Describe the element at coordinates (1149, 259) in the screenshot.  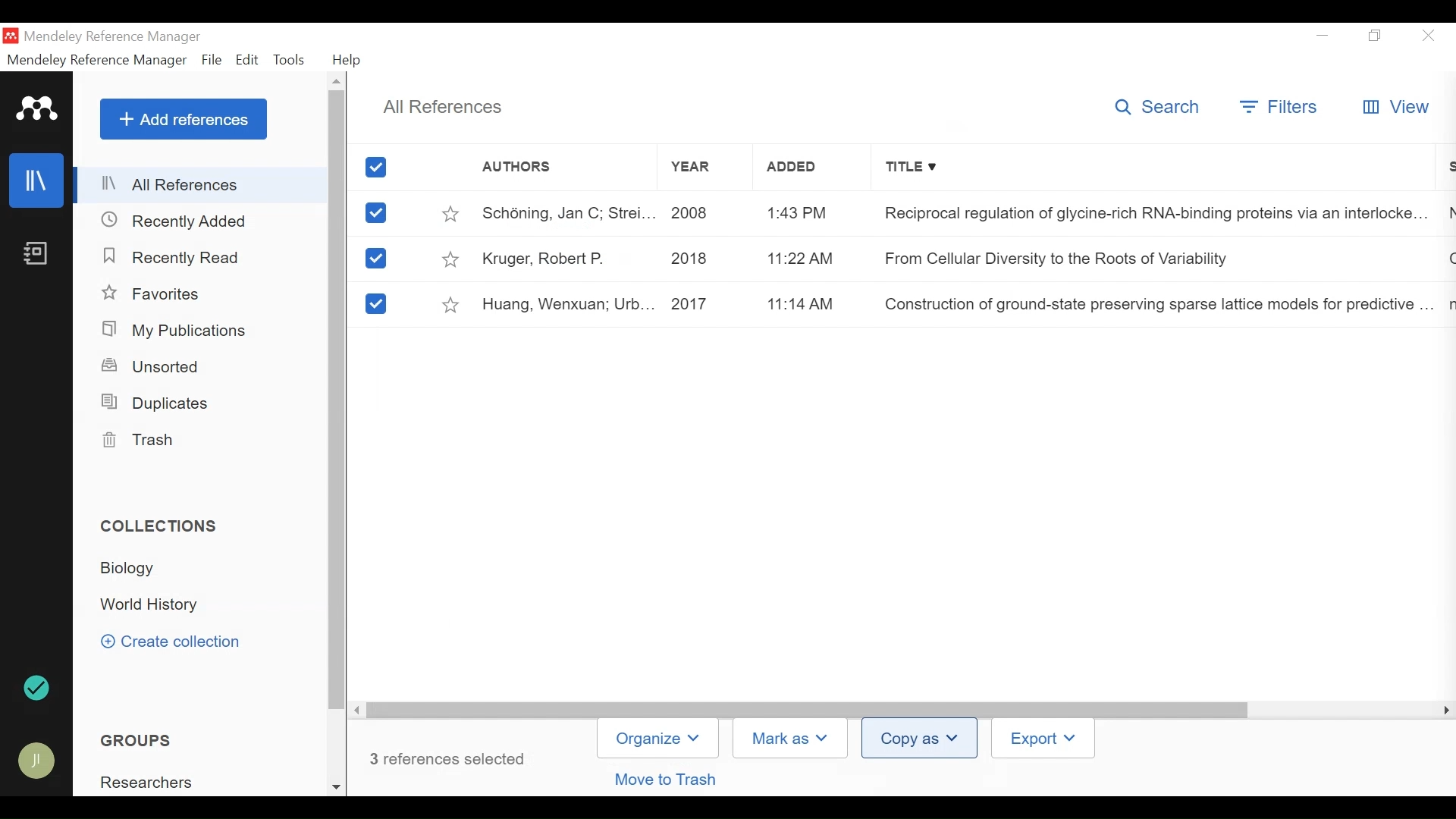
I see `Journal Title` at that location.